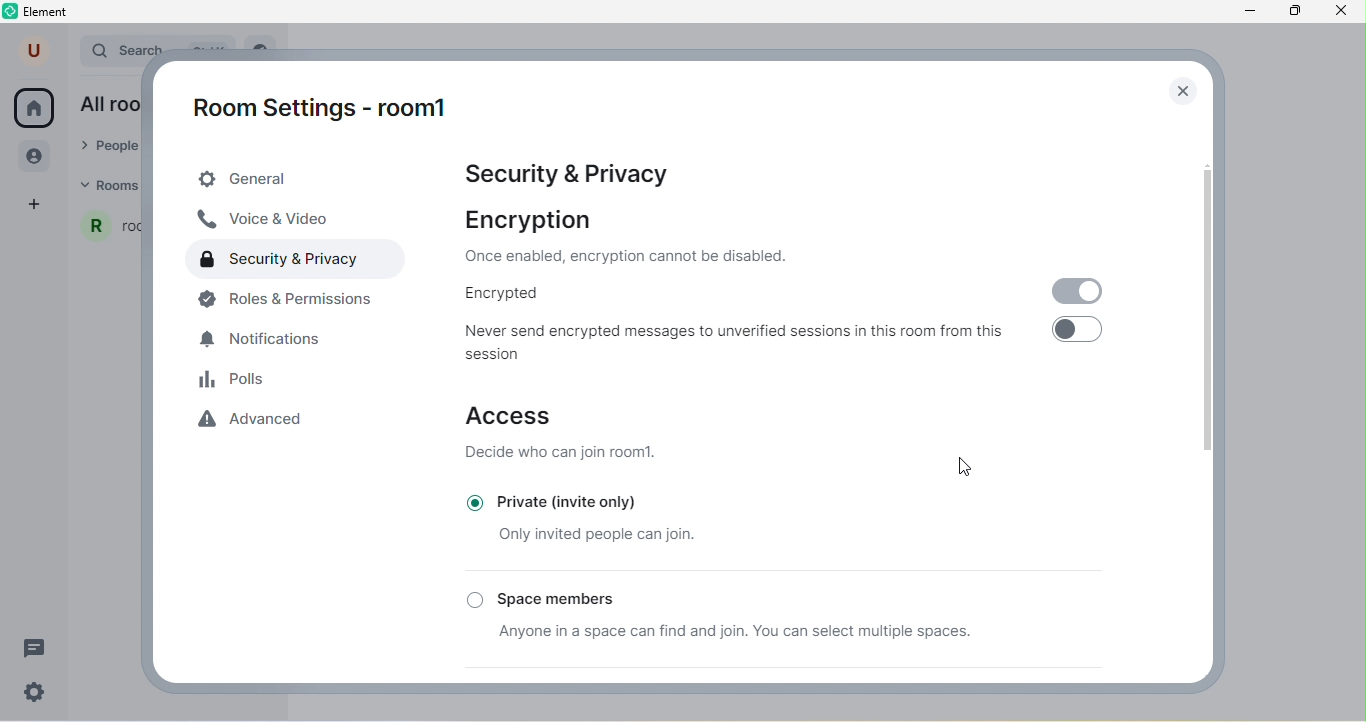 Image resolution: width=1366 pixels, height=722 pixels. What do you see at coordinates (36, 205) in the screenshot?
I see `add space` at bounding box center [36, 205].